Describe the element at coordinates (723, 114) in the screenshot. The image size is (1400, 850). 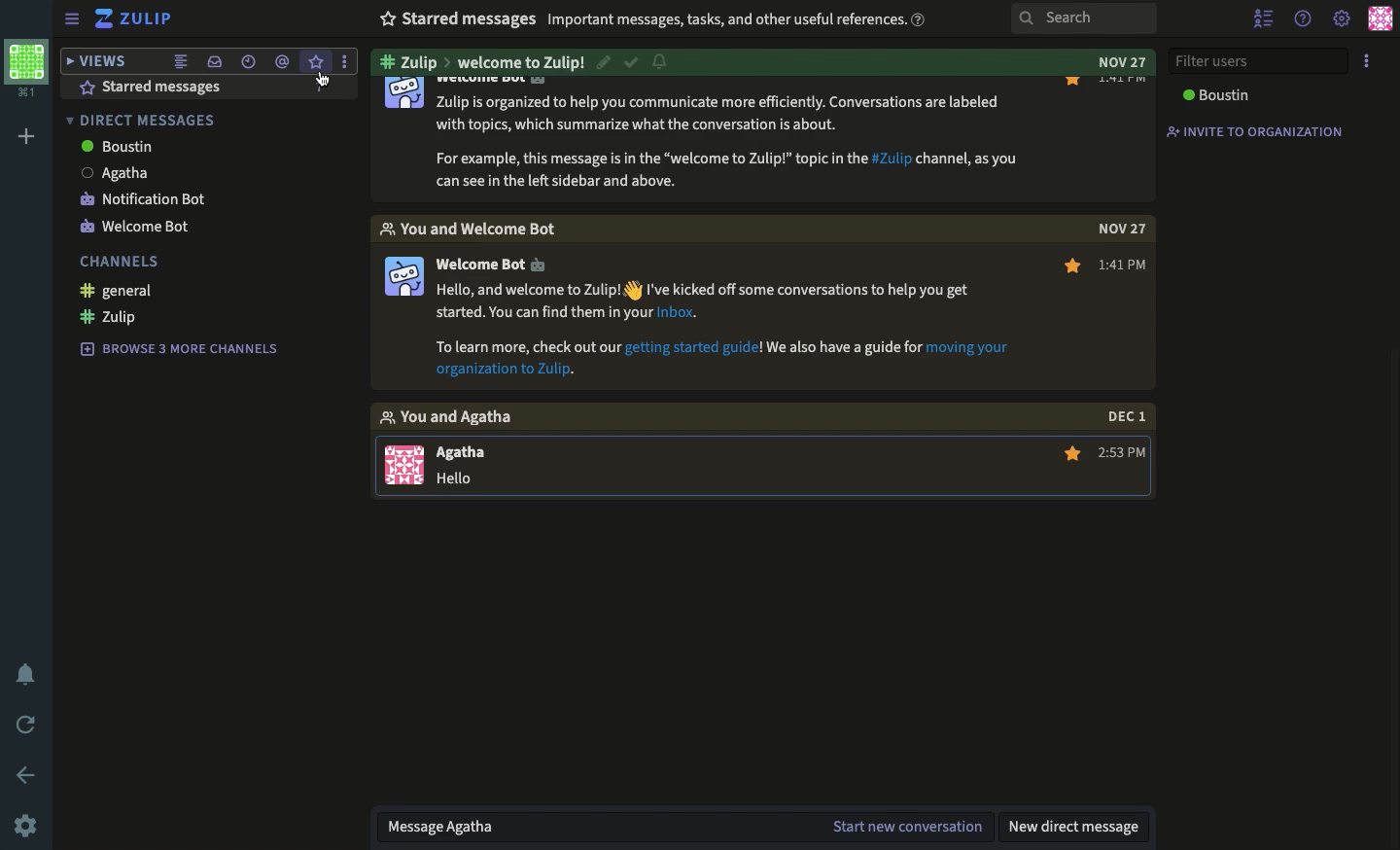
I see ` Zulip is organized to help you communicate more efficiently. Conversations are labeledwith topics, which summarize what the conversation is about.` at that location.